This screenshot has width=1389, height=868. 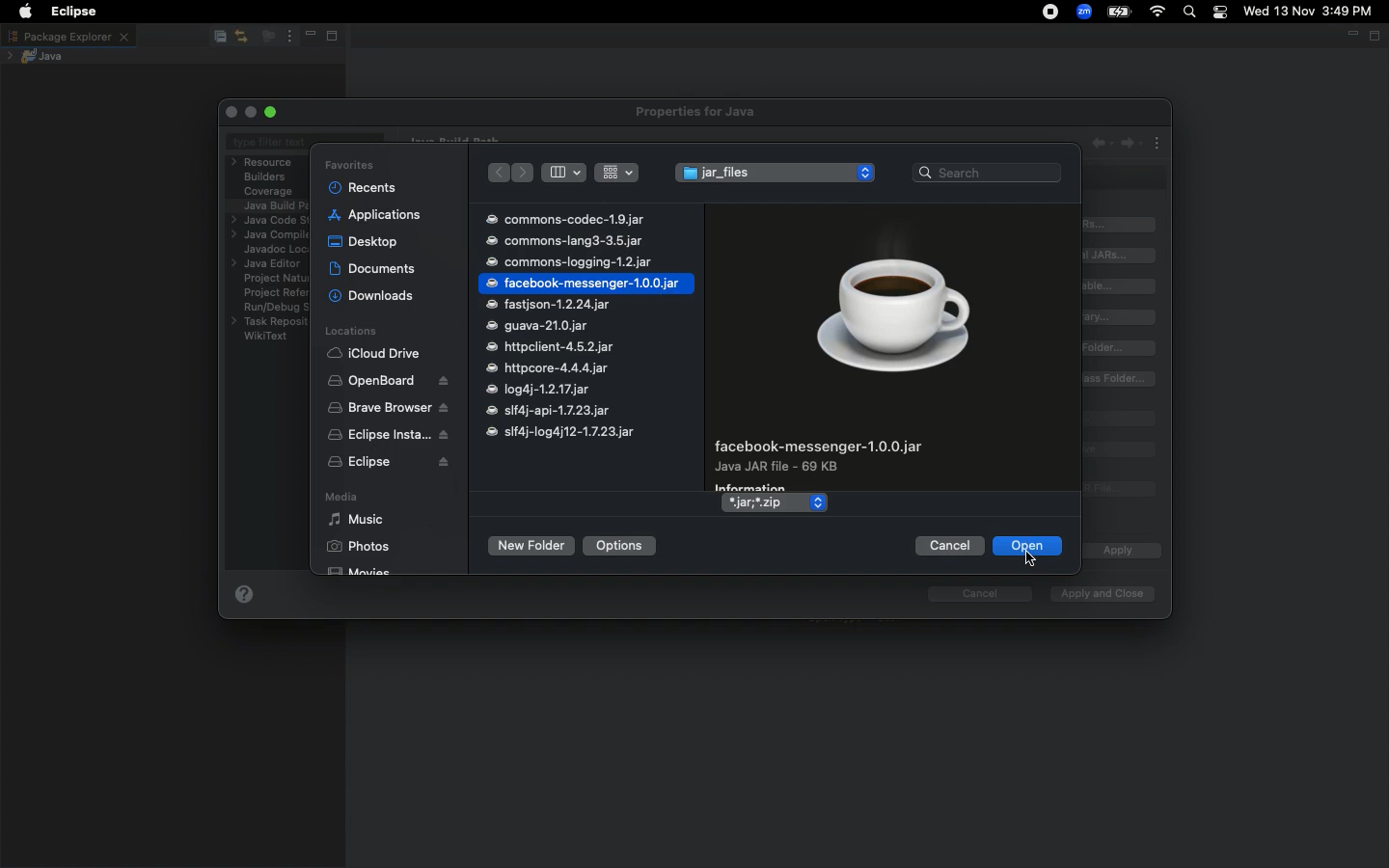 I want to click on Options, so click(x=621, y=545).